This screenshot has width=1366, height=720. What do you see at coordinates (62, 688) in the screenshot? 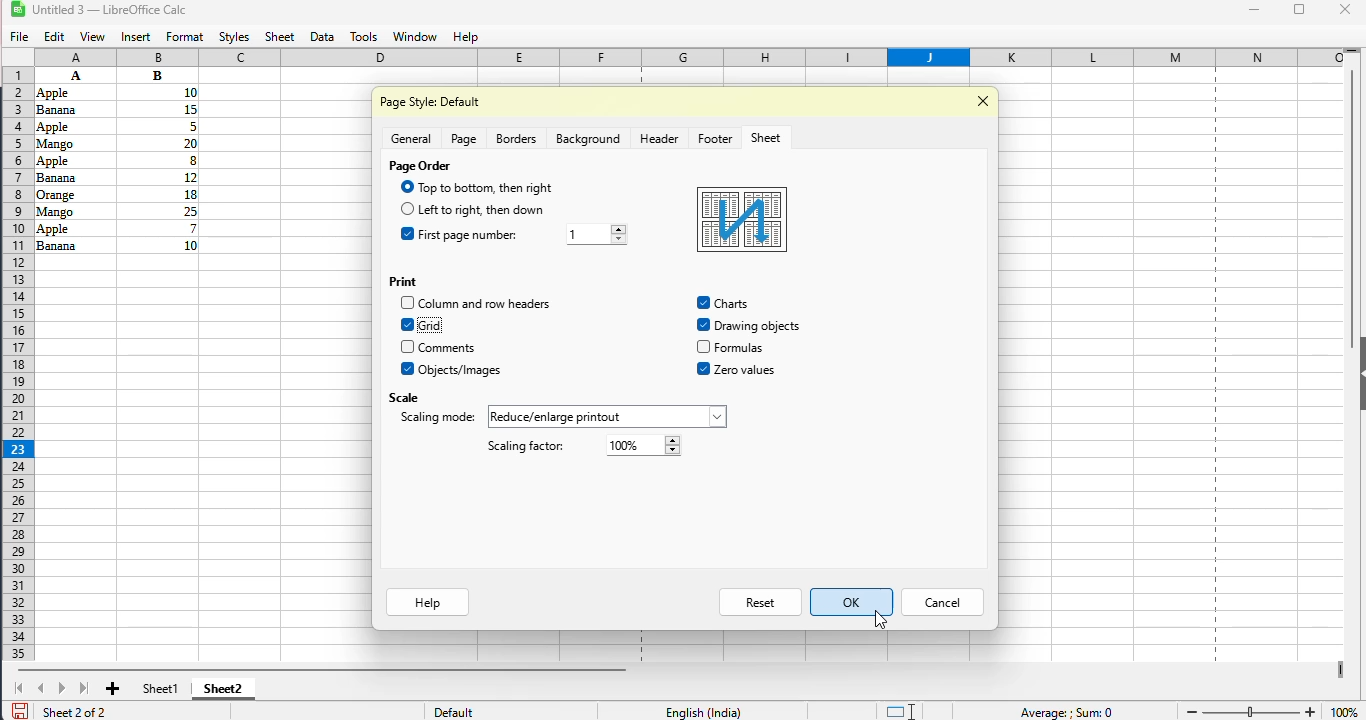
I see `scroll to next sheet` at bounding box center [62, 688].